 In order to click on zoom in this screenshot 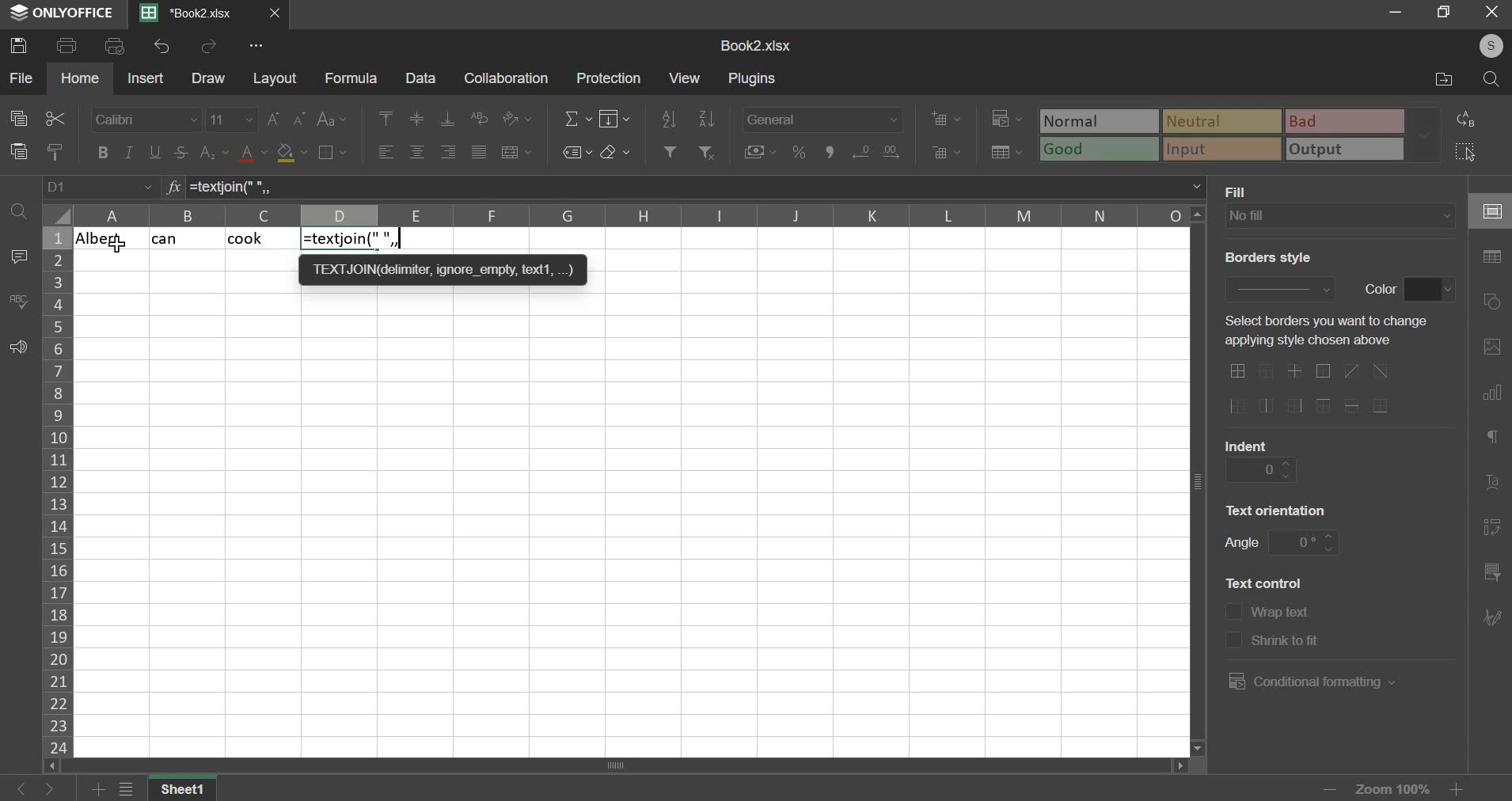, I will do `click(1391, 787)`.